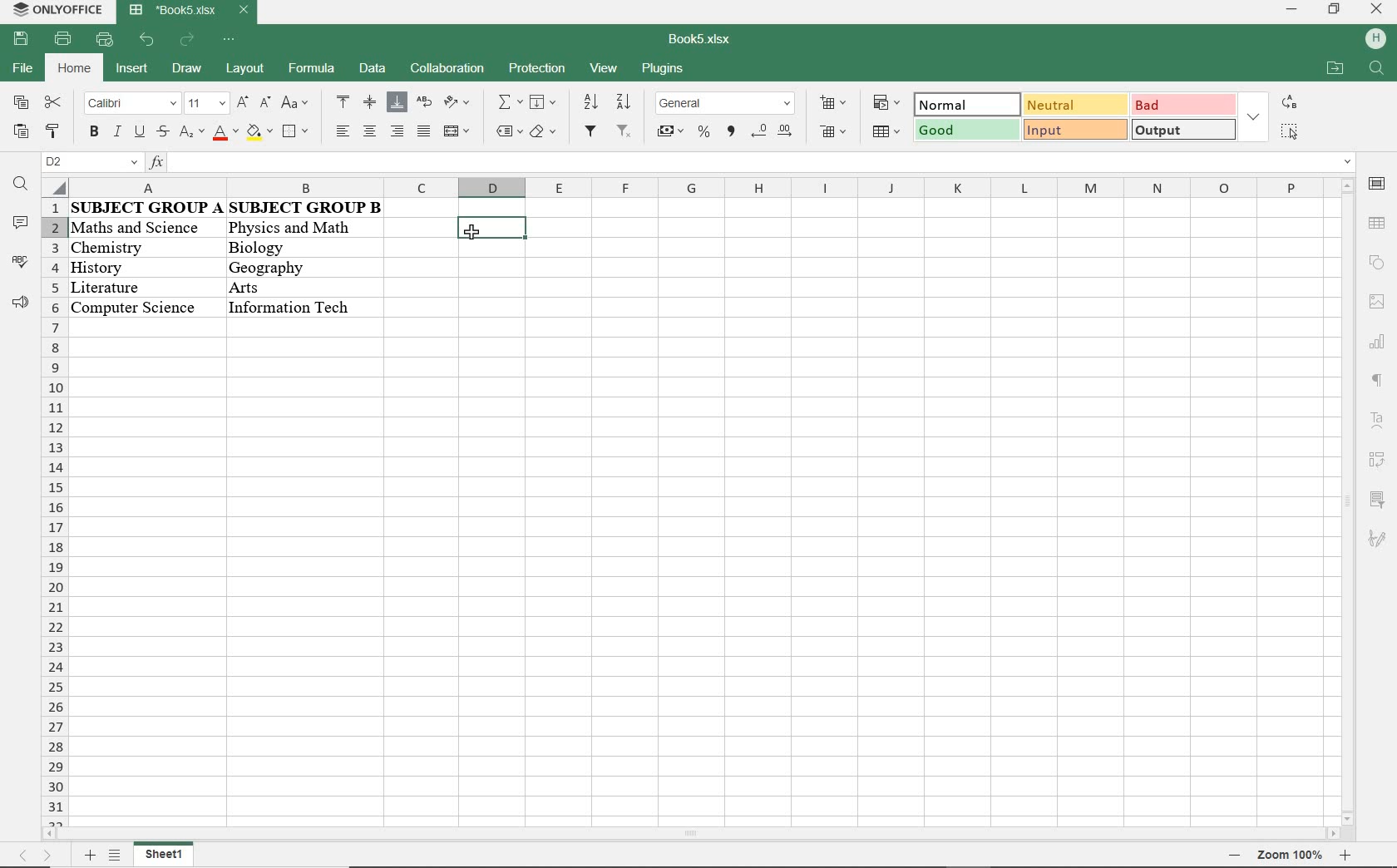  What do you see at coordinates (309, 67) in the screenshot?
I see `formula` at bounding box center [309, 67].